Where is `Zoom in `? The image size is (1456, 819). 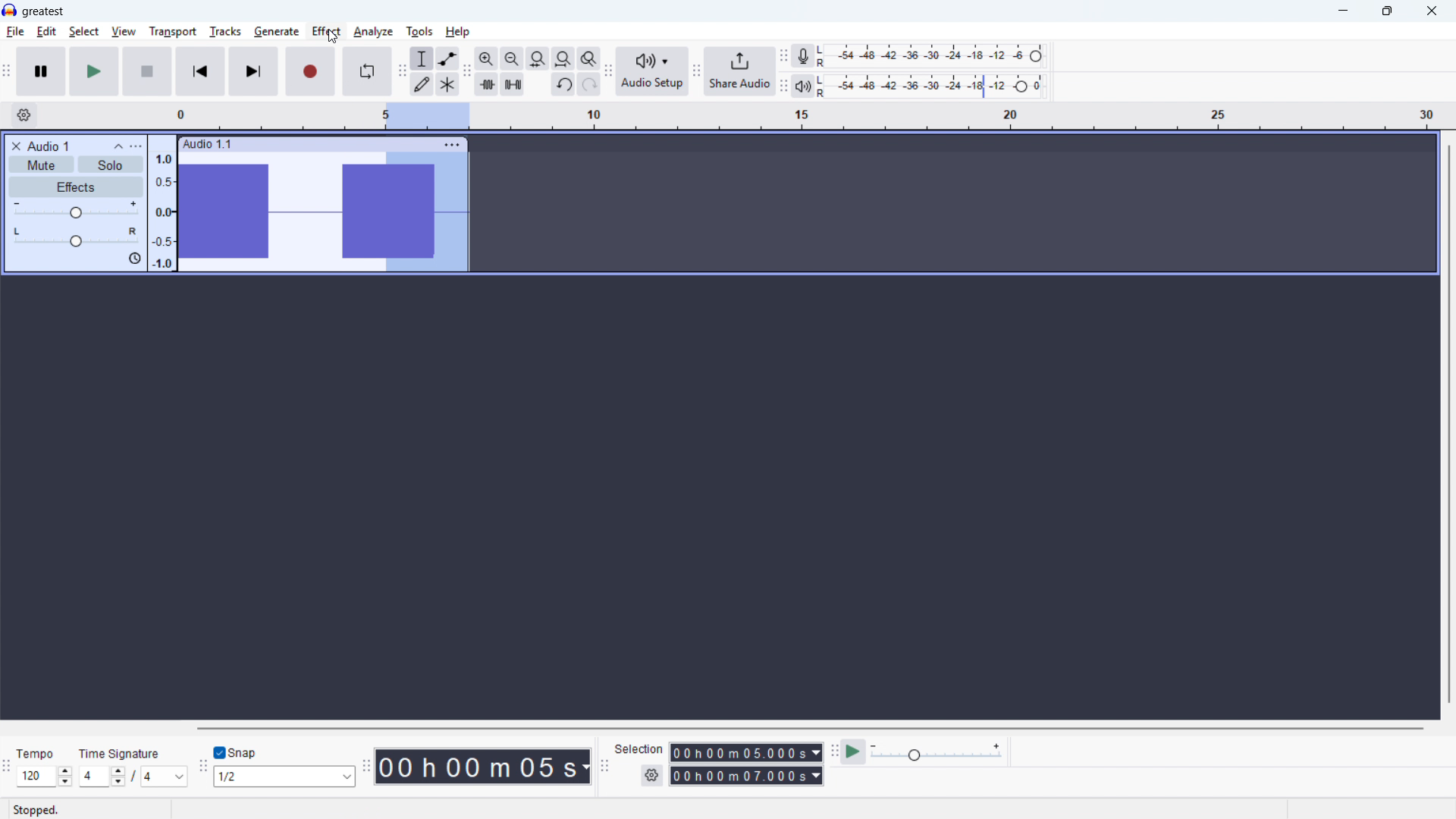 Zoom in  is located at coordinates (487, 58).